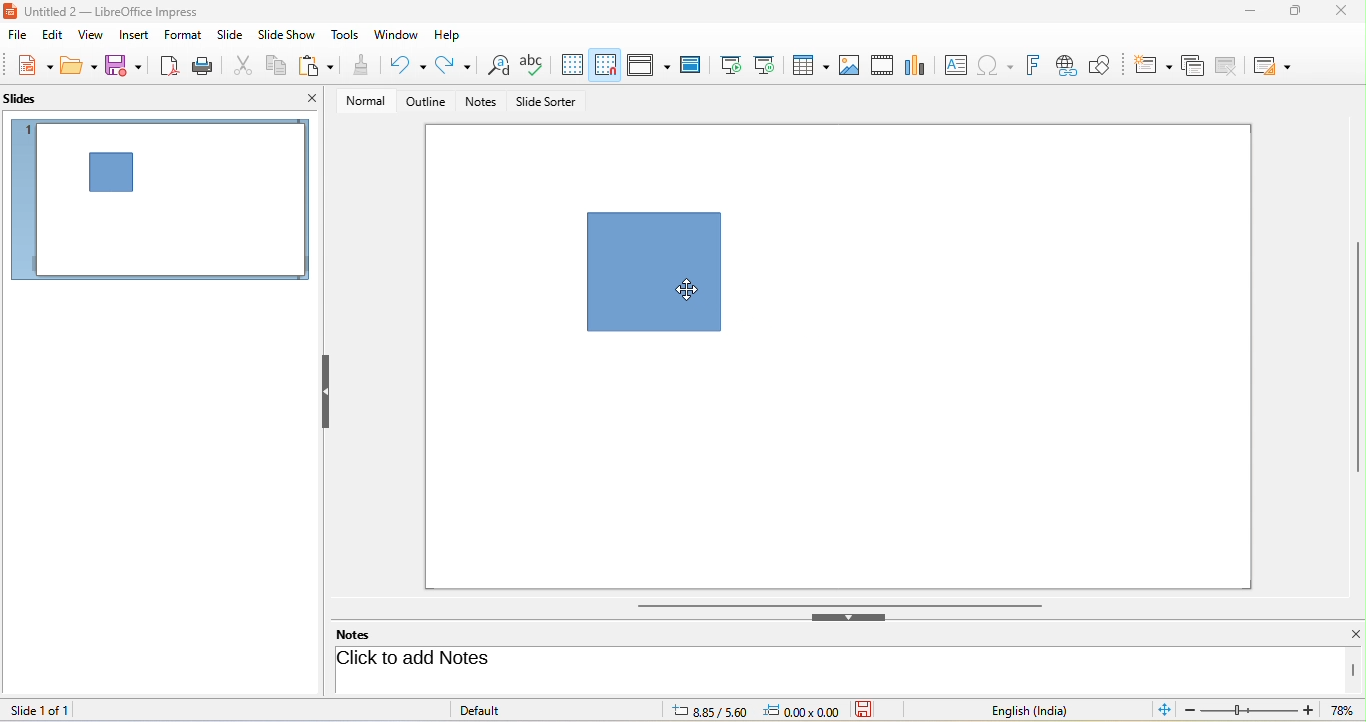 Image resolution: width=1366 pixels, height=722 pixels. I want to click on clone formatting, so click(362, 67).